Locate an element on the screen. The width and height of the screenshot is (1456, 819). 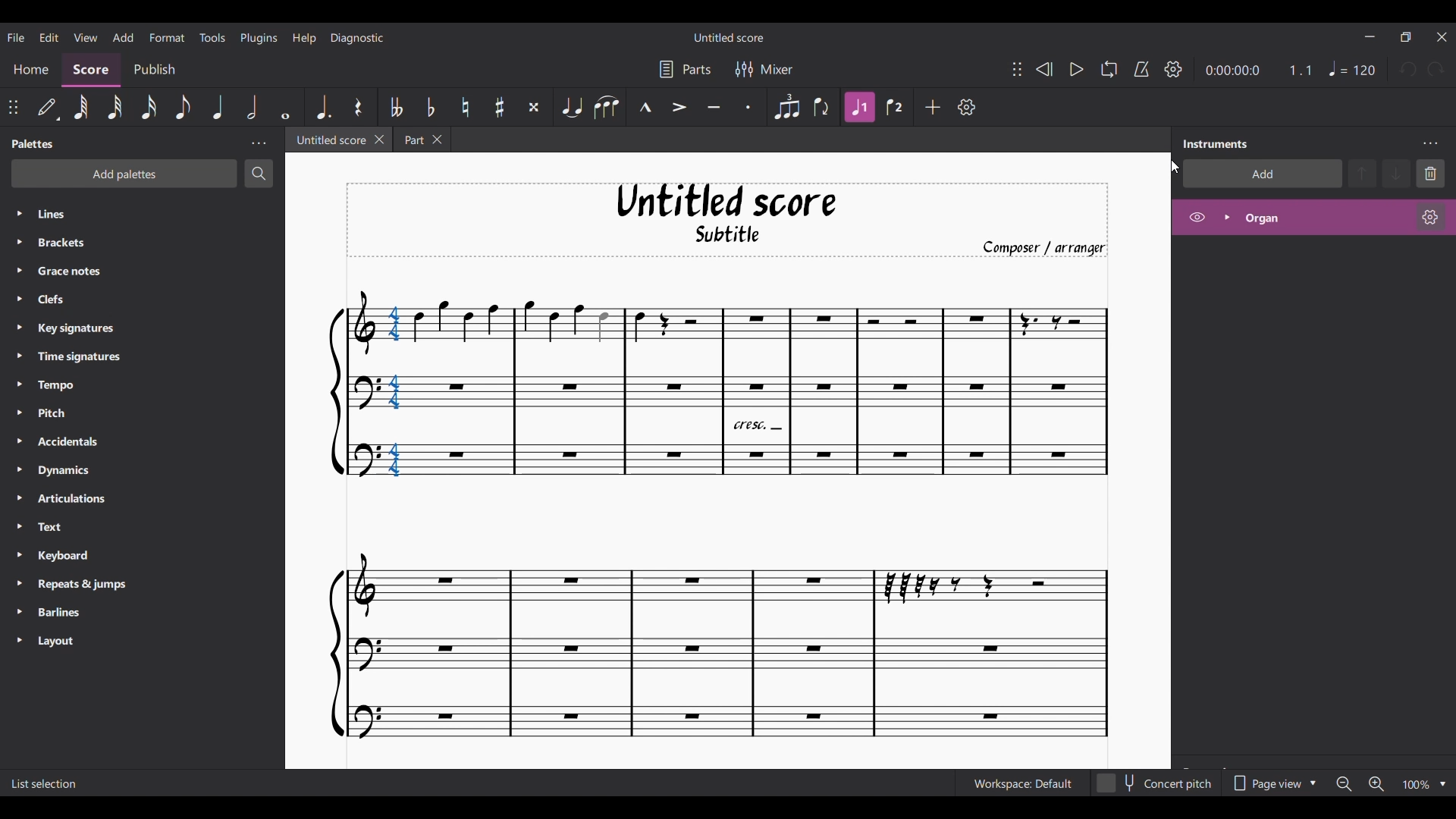
Tempo is located at coordinates (1351, 68).